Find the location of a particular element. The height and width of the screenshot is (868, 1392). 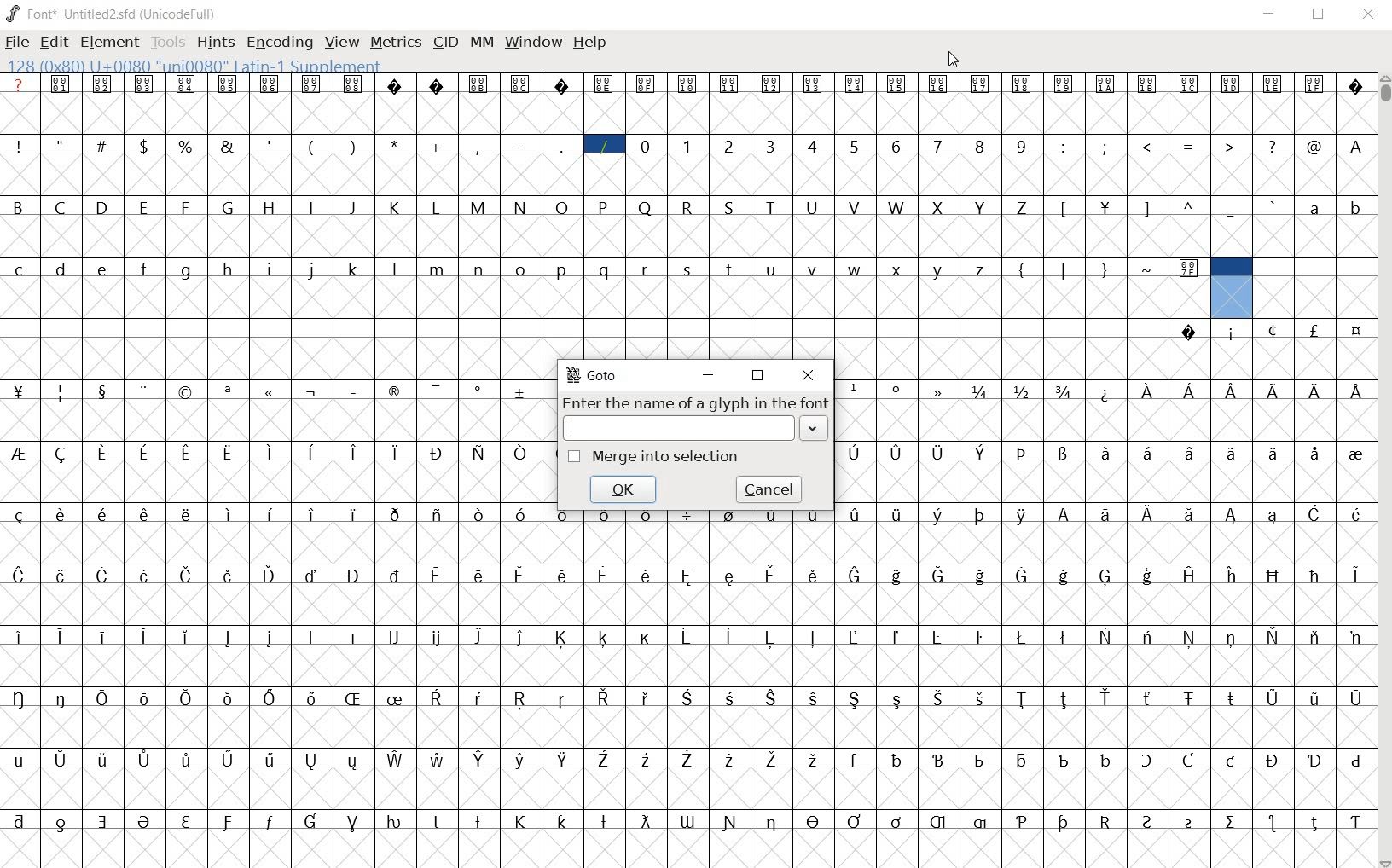

c is located at coordinates (20, 267).